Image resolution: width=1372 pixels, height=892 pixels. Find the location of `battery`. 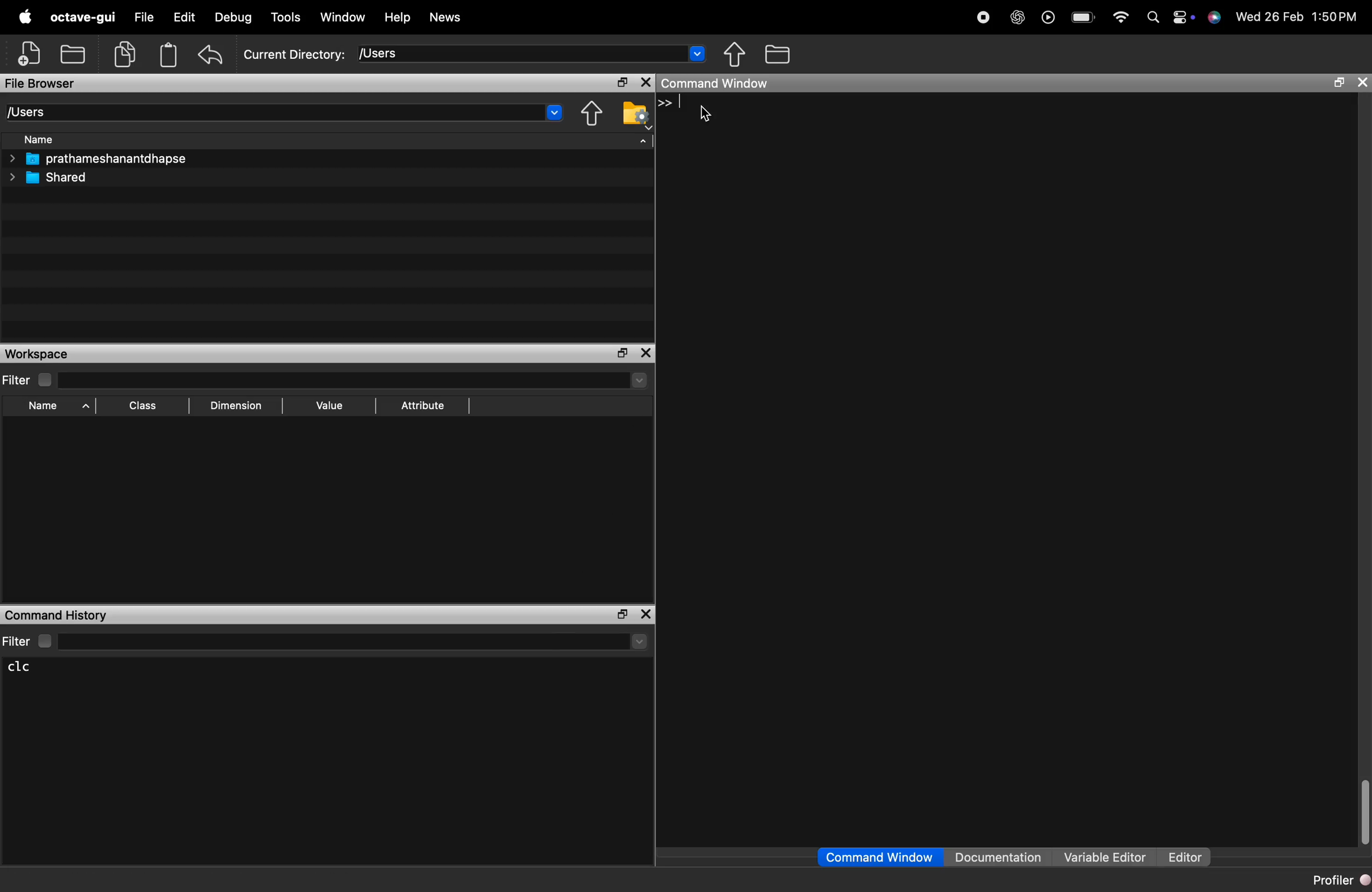

battery is located at coordinates (1083, 14).